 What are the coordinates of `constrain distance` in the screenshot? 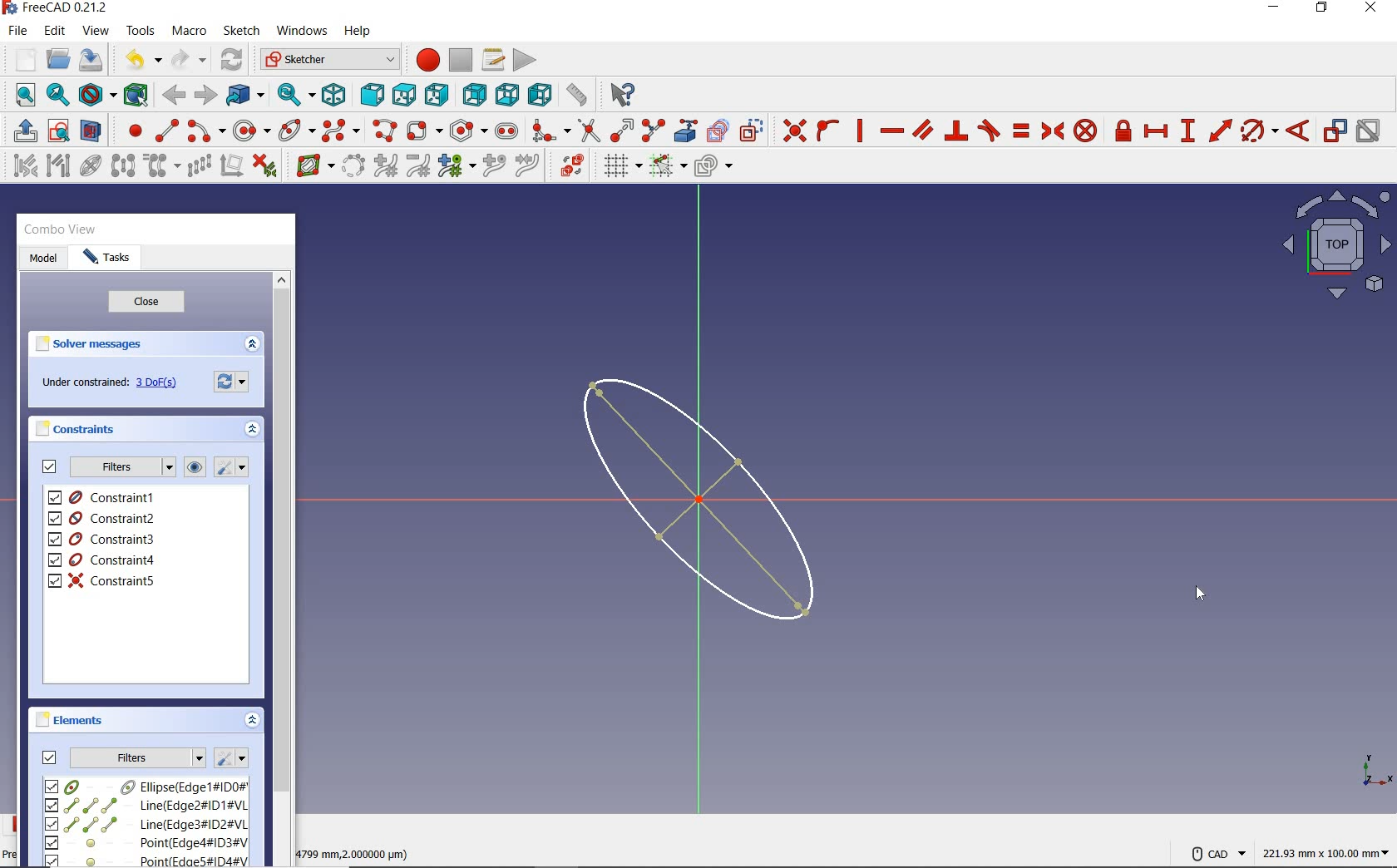 It's located at (1221, 129).